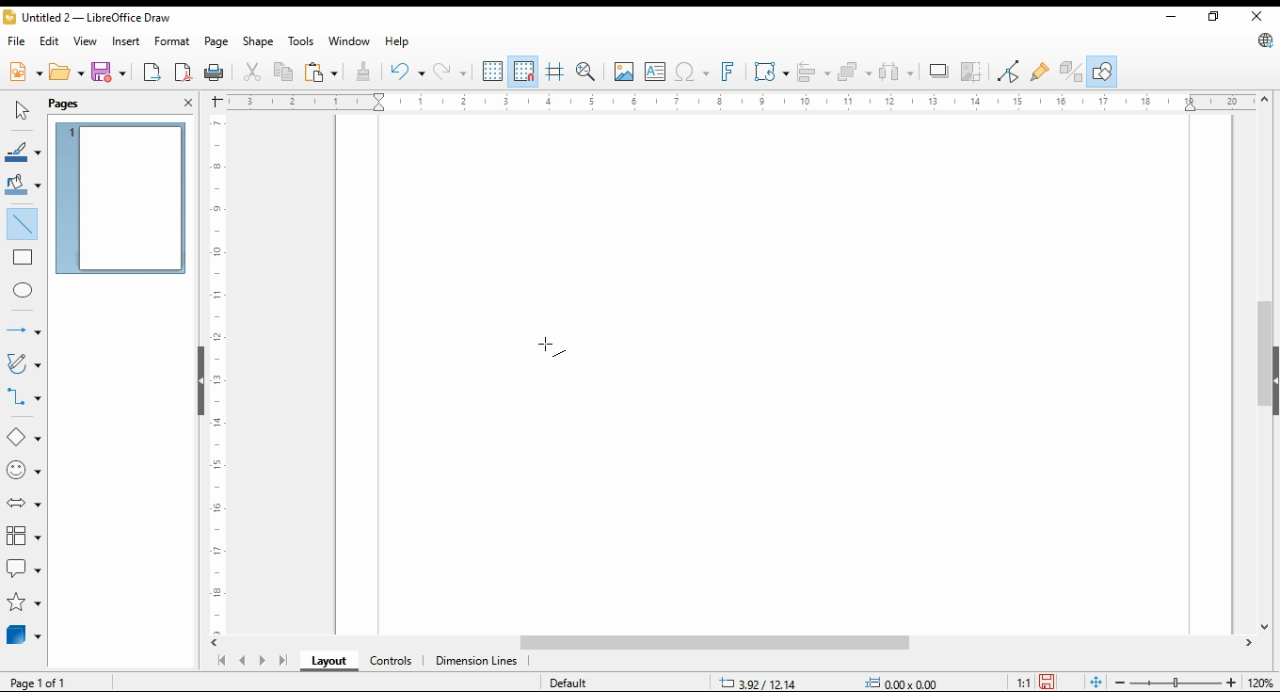 The width and height of the screenshot is (1280, 692). Describe the element at coordinates (939, 71) in the screenshot. I see `shadow` at that location.